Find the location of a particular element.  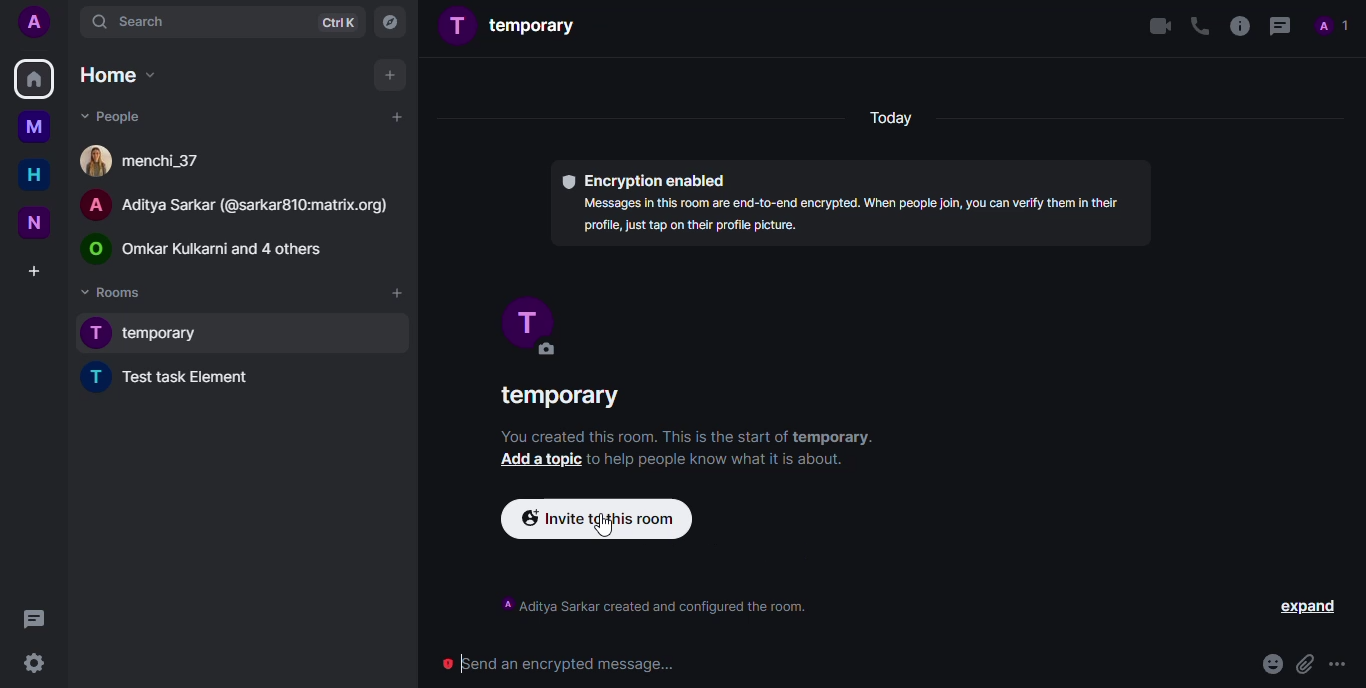

temporary is located at coordinates (565, 398).